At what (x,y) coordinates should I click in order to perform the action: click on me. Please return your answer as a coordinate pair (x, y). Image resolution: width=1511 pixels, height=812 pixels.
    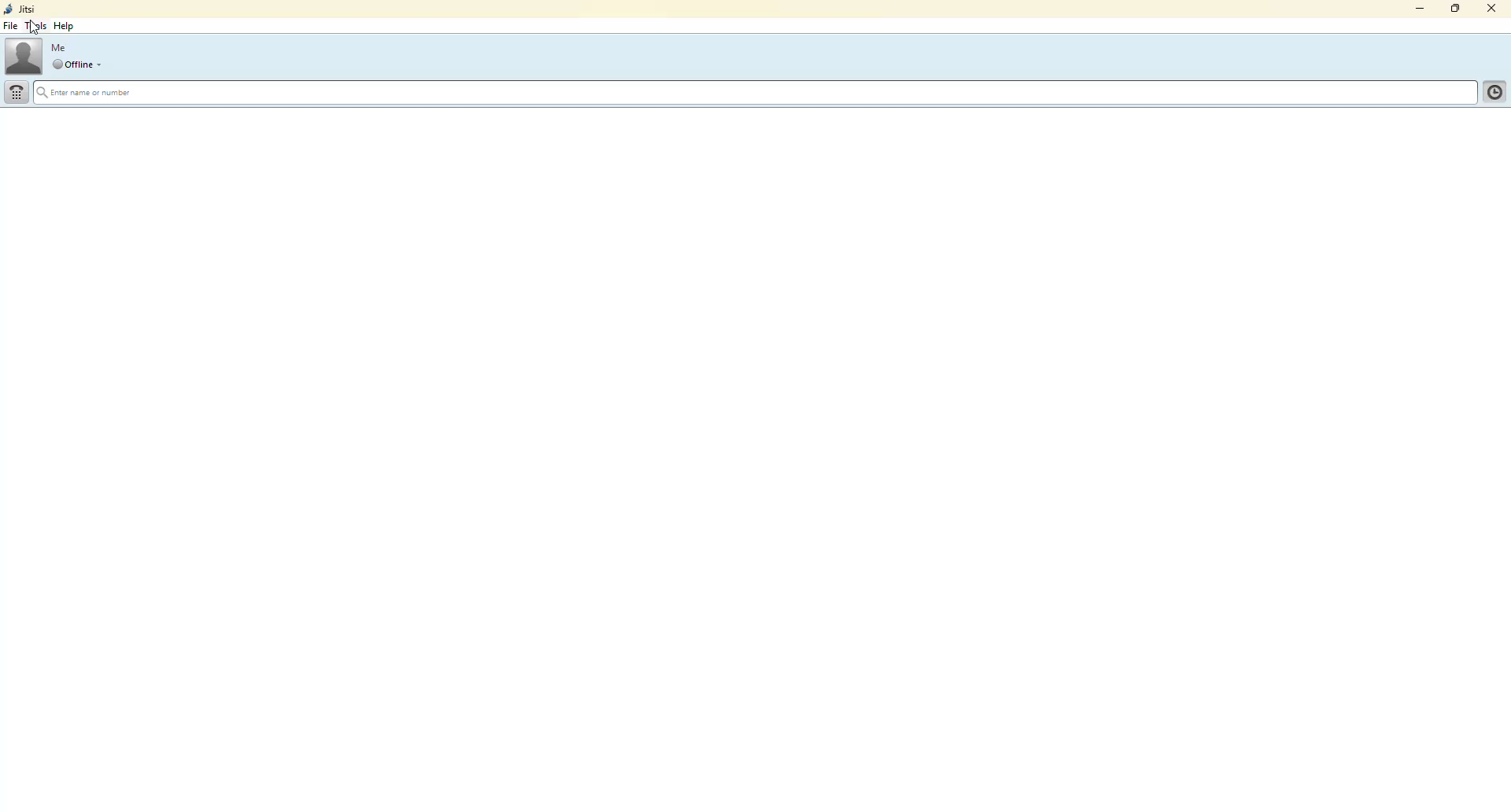
    Looking at the image, I should click on (59, 47).